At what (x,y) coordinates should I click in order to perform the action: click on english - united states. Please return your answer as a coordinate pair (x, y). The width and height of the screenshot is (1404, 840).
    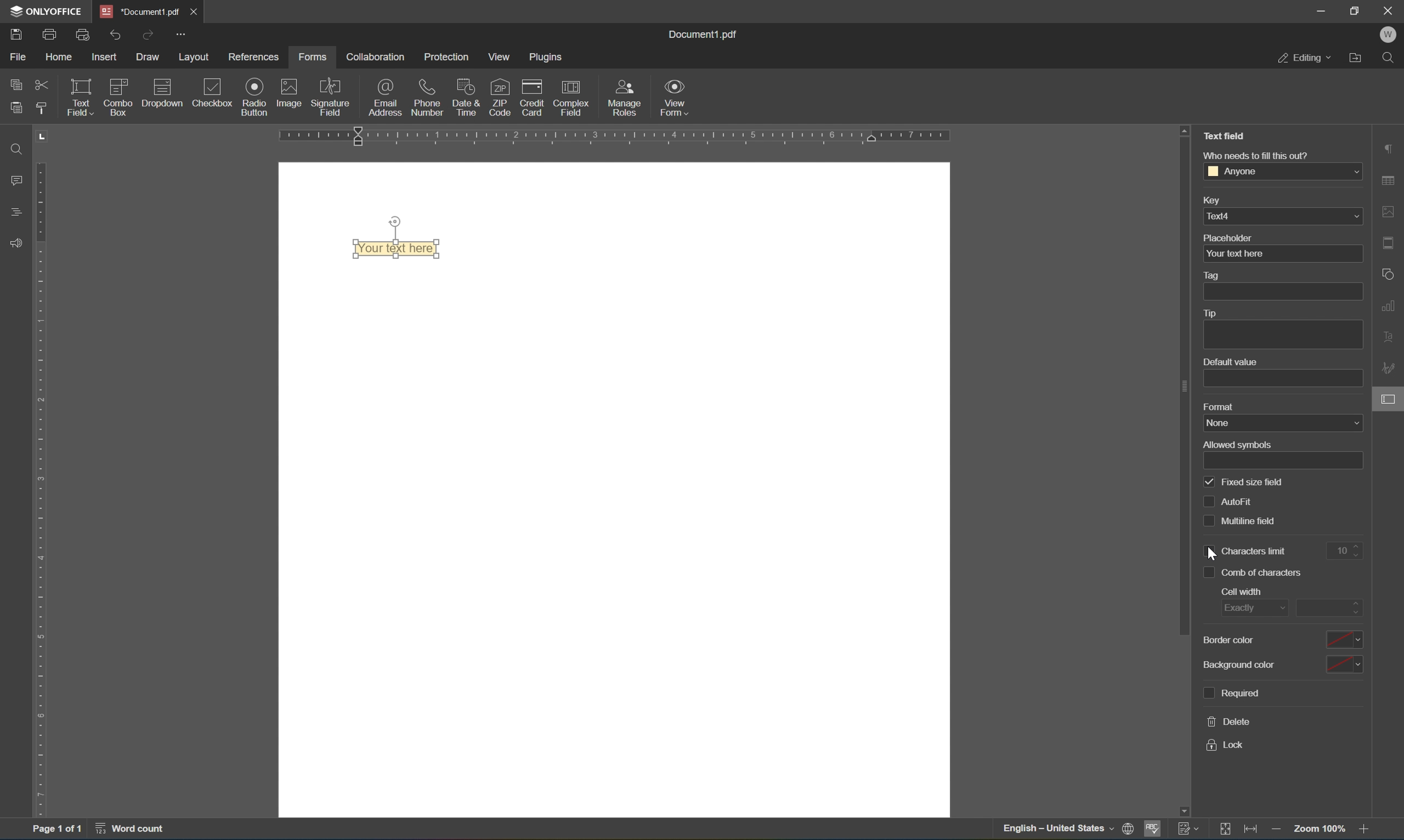
    Looking at the image, I should click on (1055, 829).